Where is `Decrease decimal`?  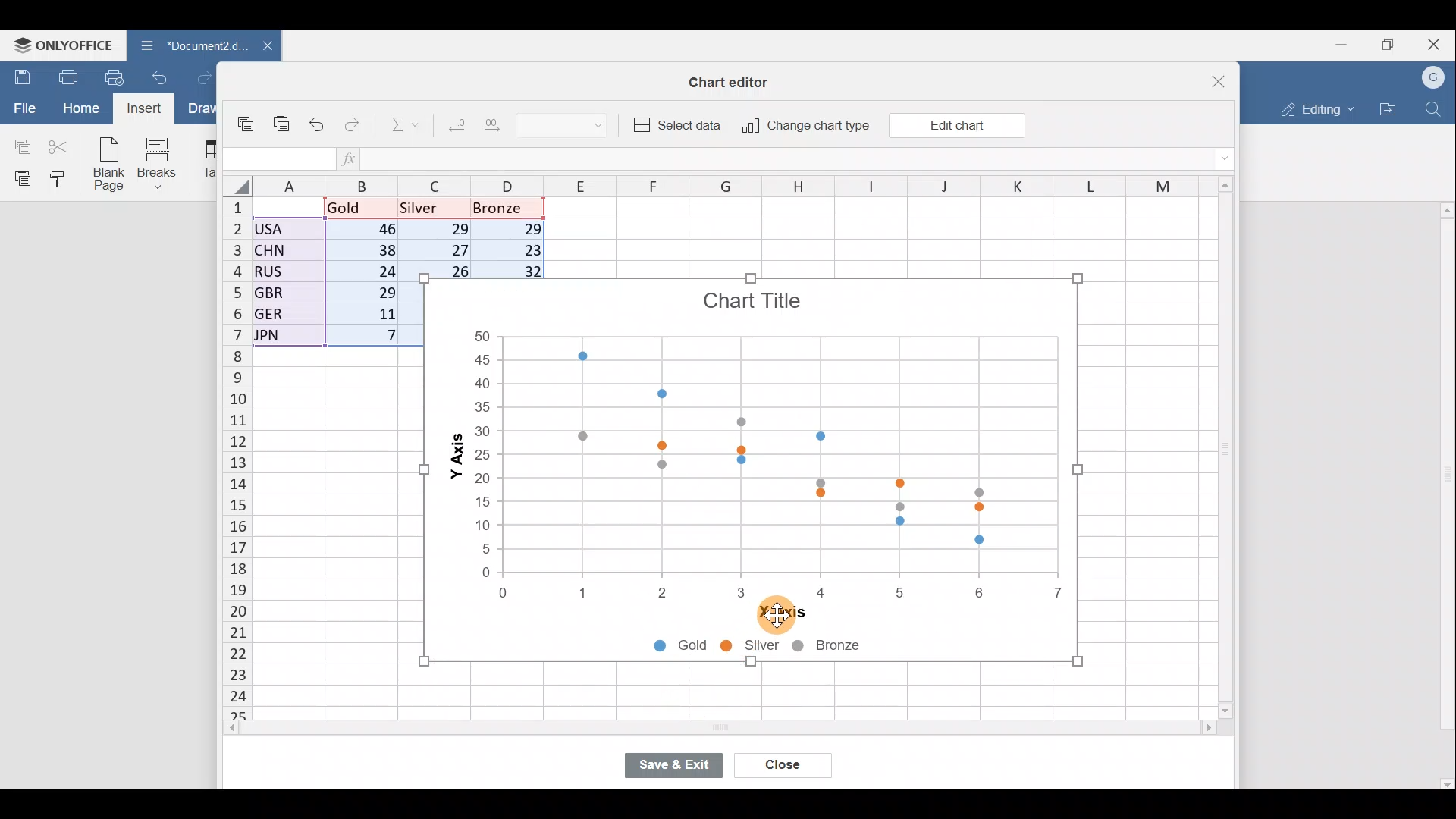
Decrease decimal is located at coordinates (453, 128).